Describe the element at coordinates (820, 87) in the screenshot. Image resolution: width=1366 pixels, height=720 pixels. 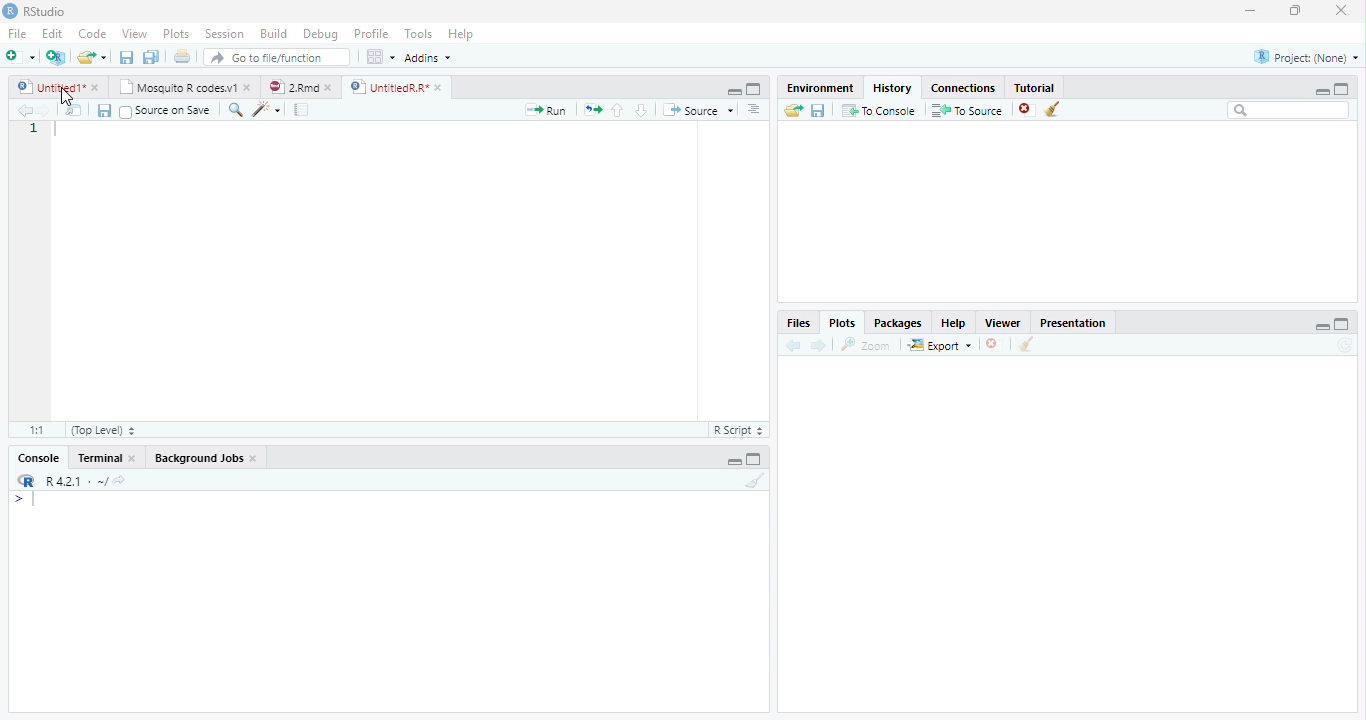
I see `Environment` at that location.